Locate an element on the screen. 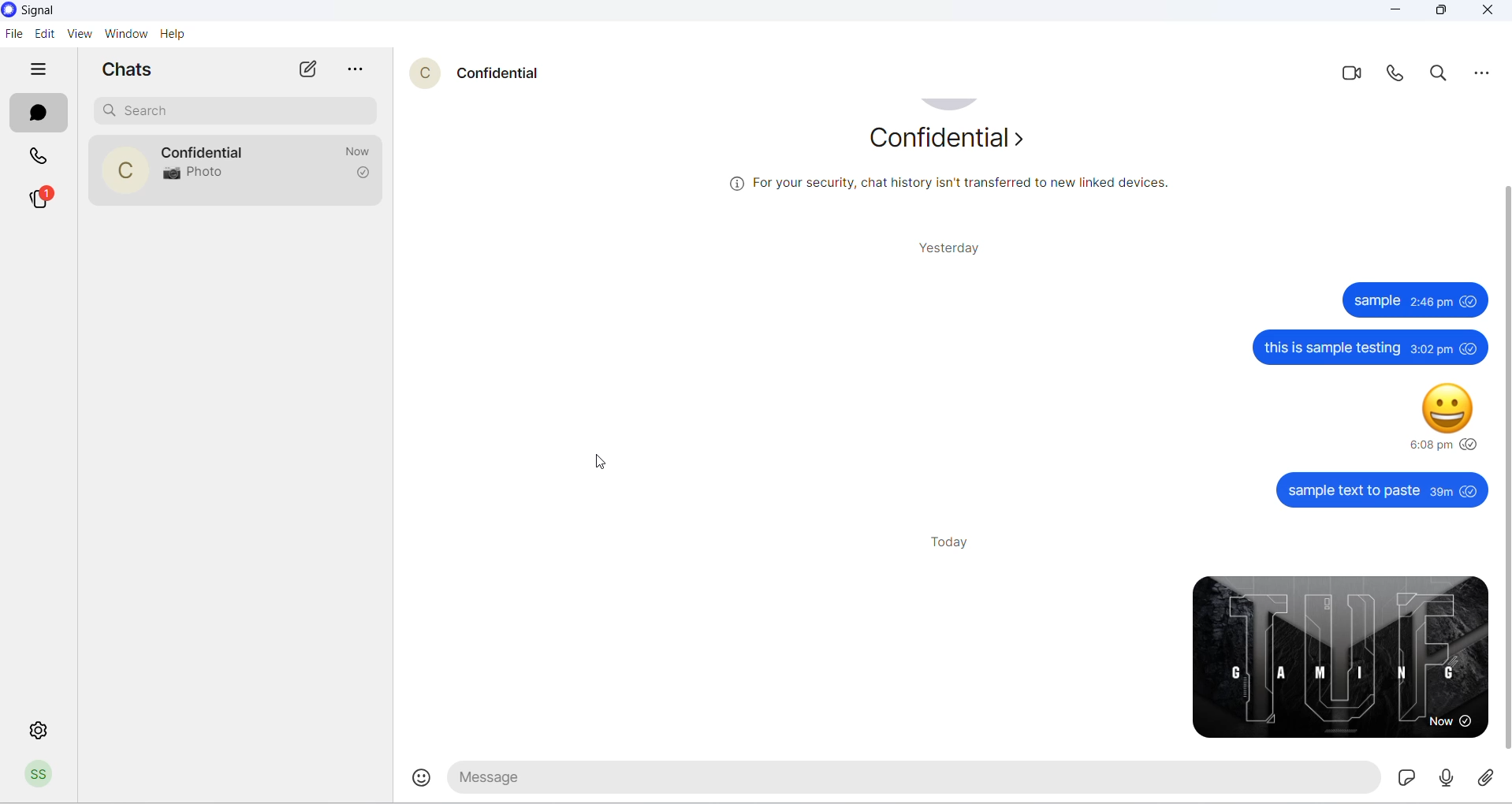 The width and height of the screenshot is (1512, 804). maximize is located at coordinates (1439, 15).